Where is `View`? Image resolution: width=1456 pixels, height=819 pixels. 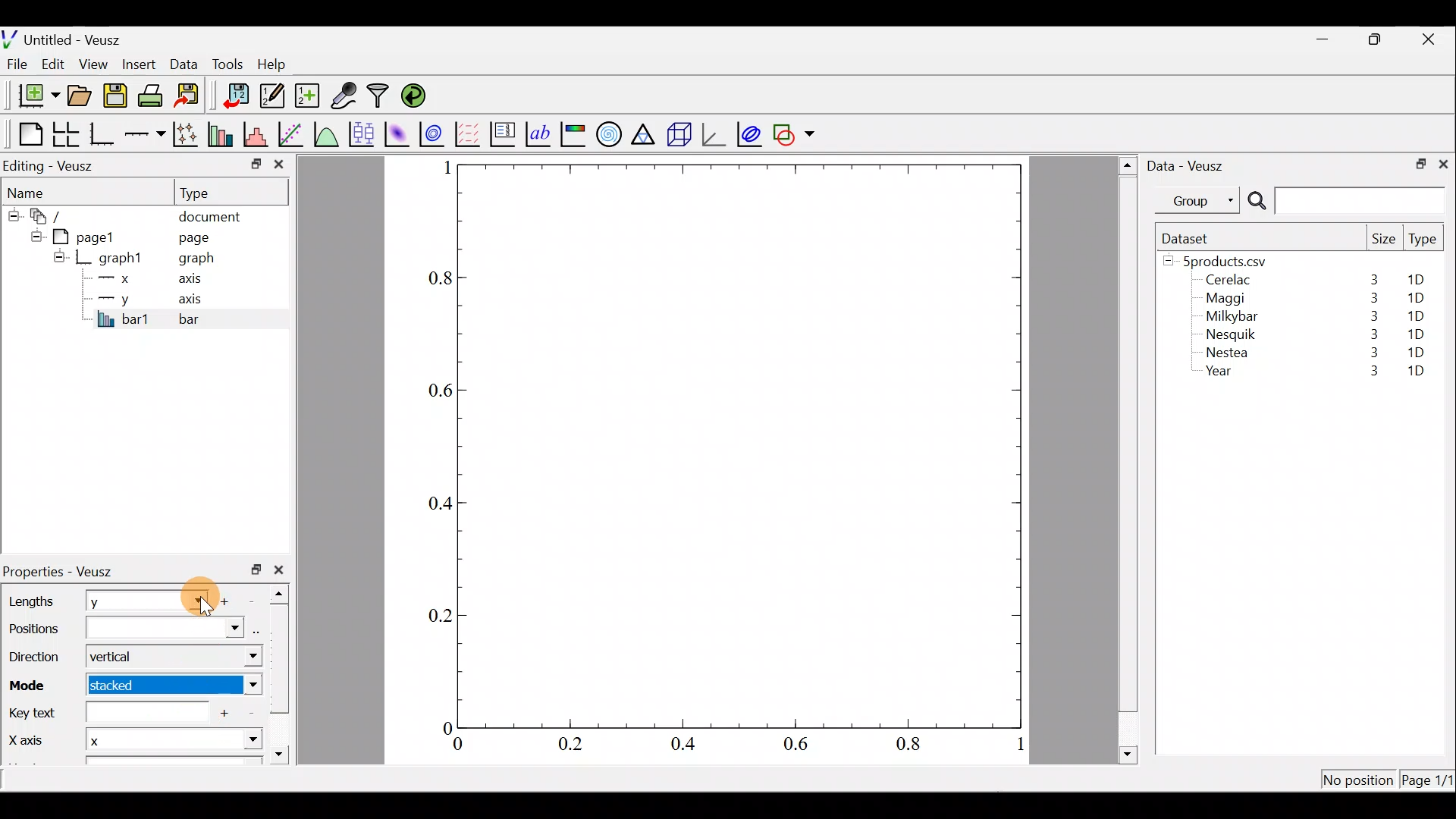
View is located at coordinates (96, 61).